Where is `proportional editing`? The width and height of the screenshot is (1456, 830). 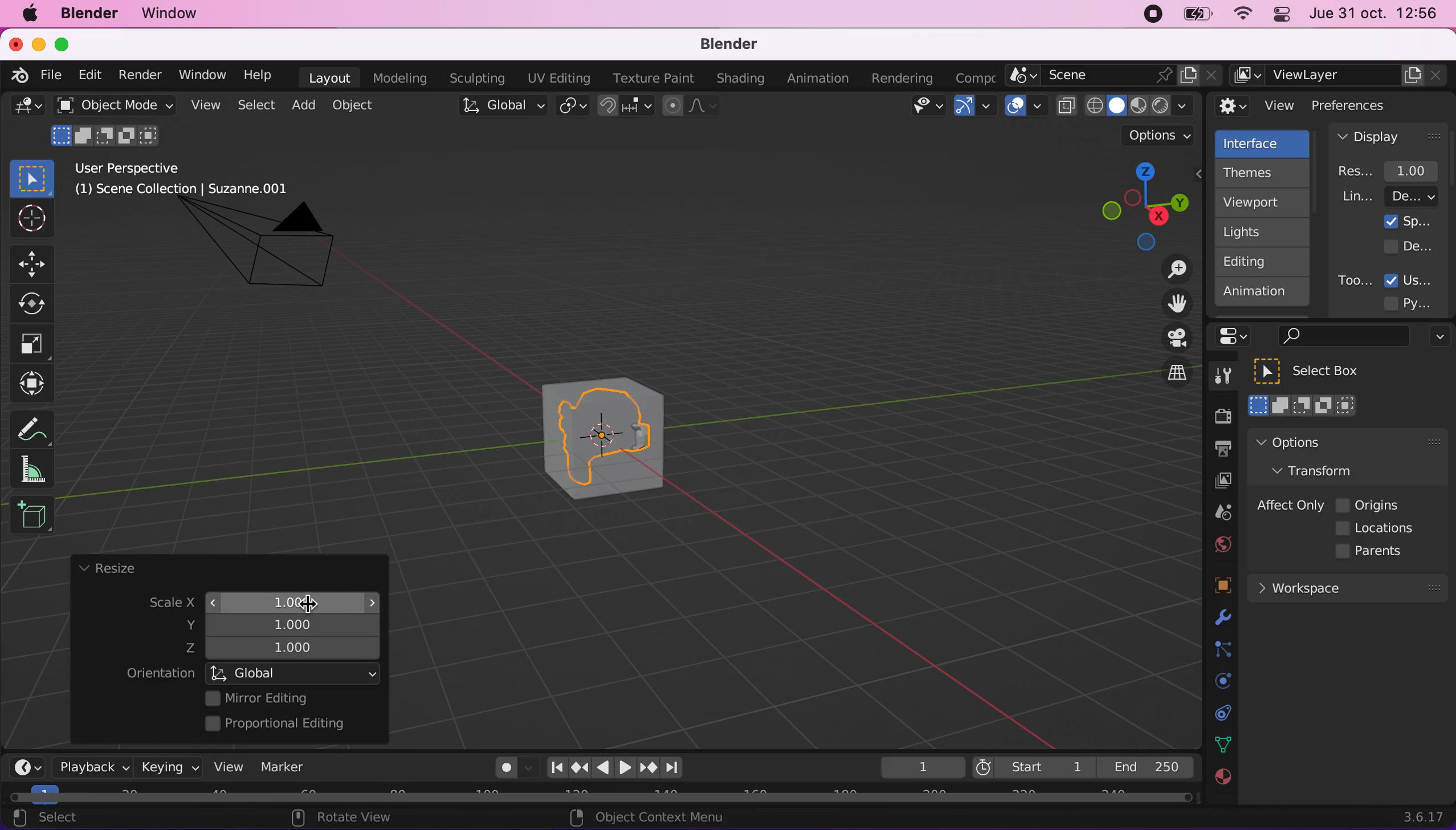 proportional editing is located at coordinates (283, 725).